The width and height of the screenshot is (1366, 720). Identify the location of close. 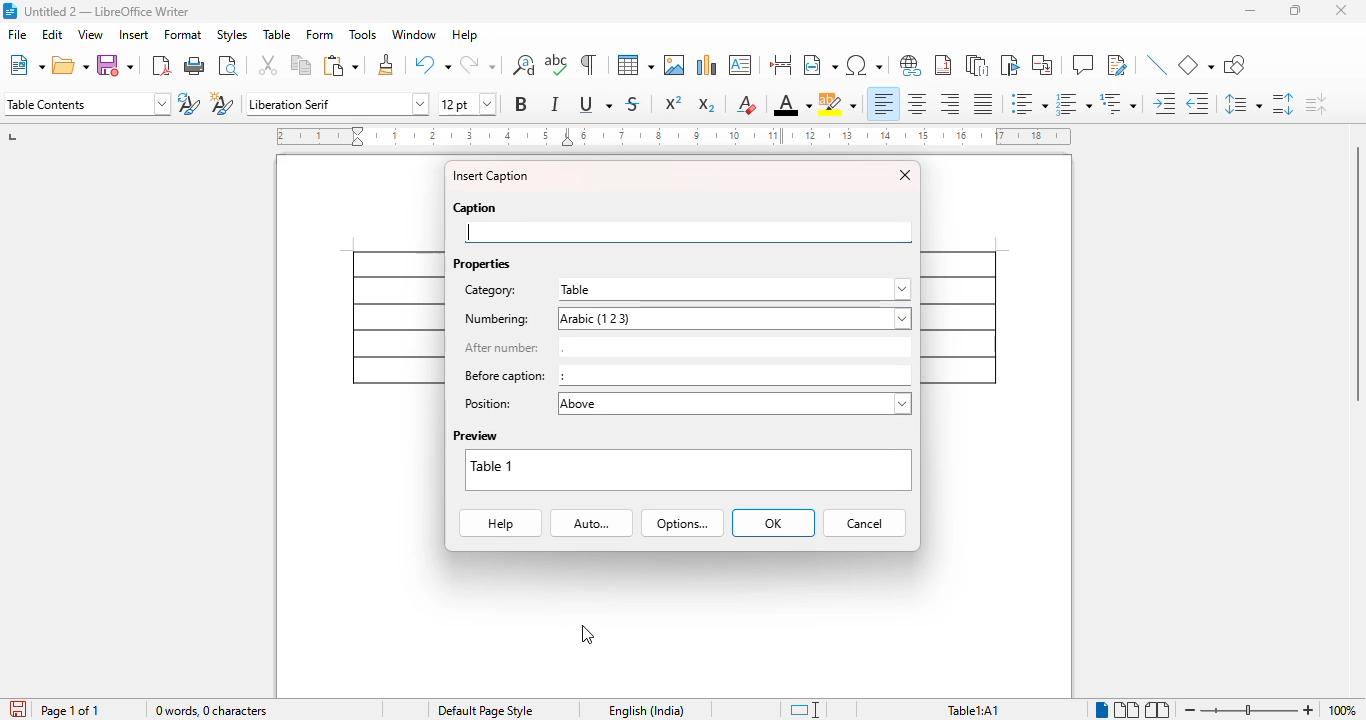
(1341, 10).